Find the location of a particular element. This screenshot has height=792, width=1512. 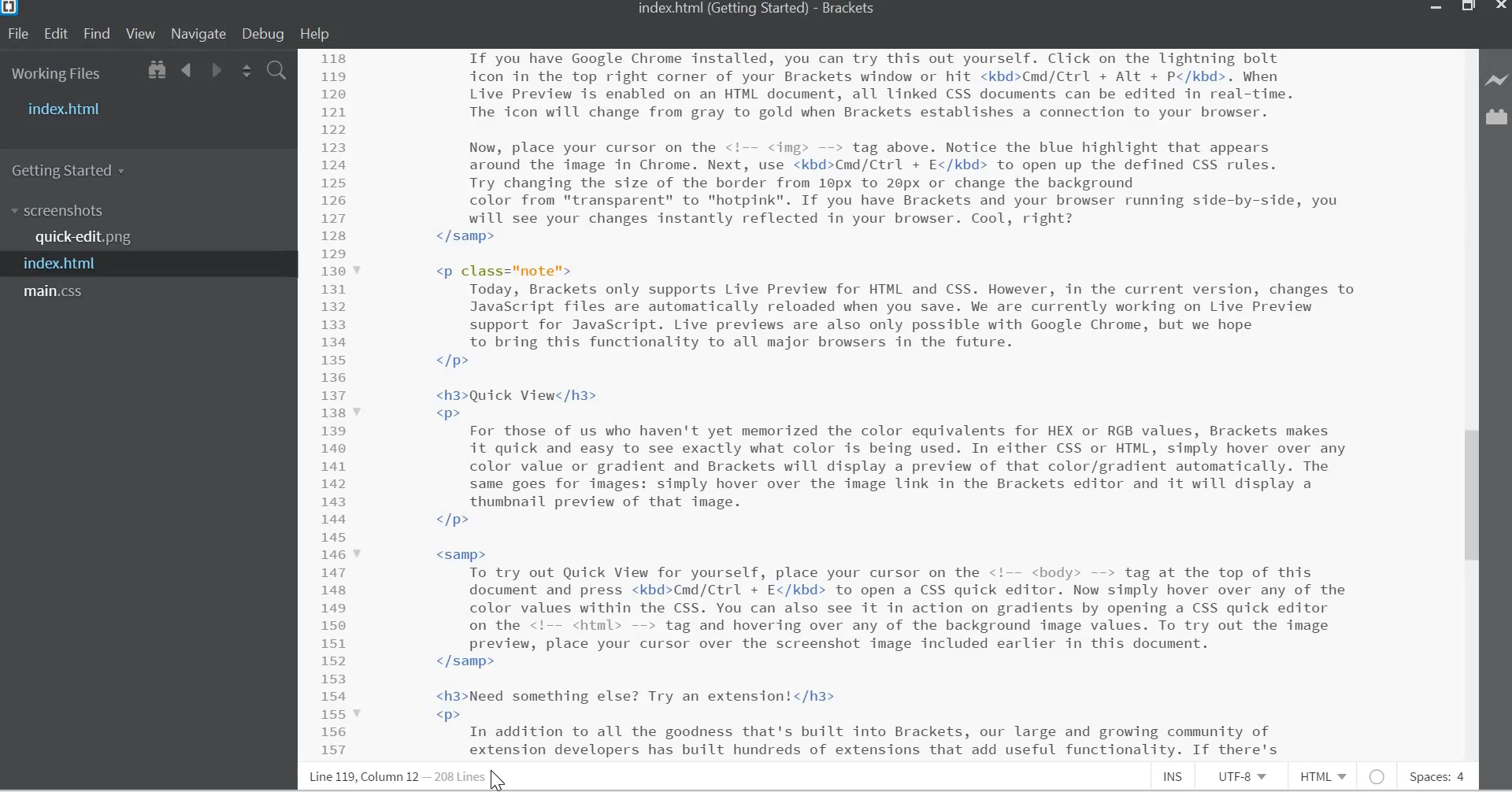

Restore is located at coordinates (1467, 7).